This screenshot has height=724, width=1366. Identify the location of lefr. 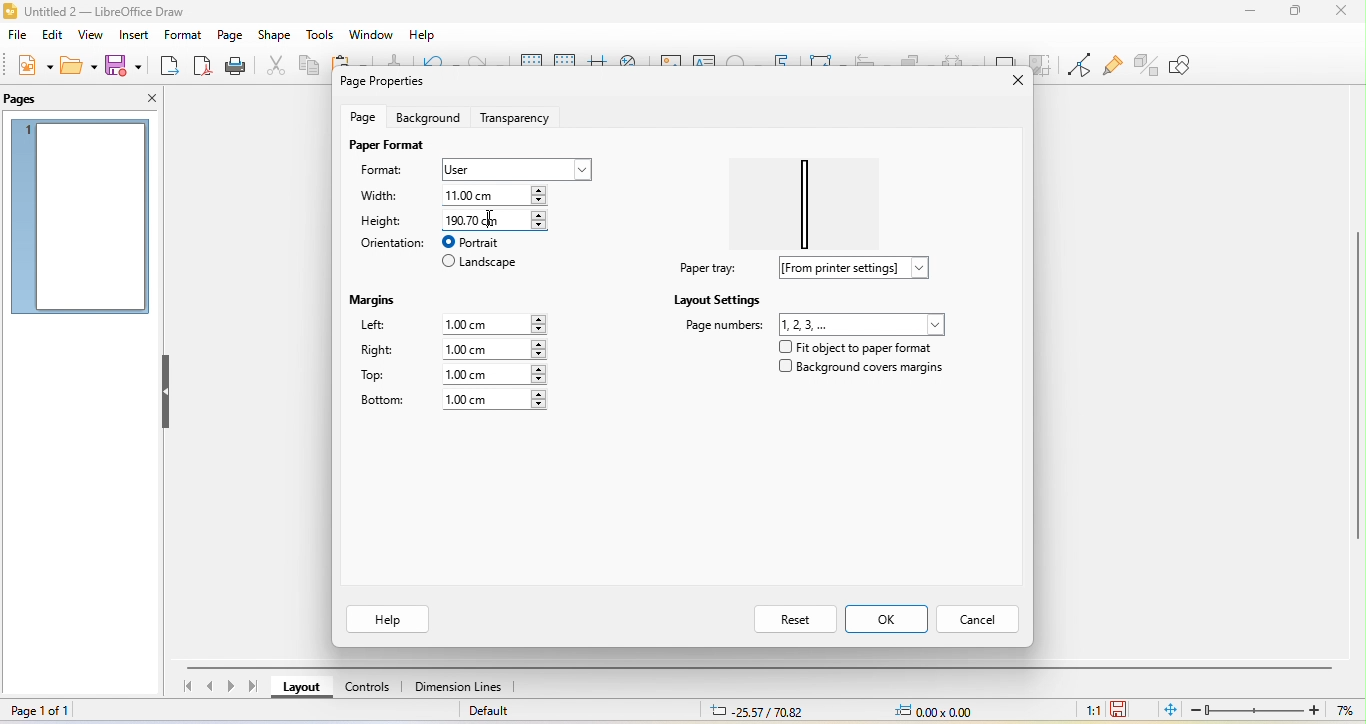
(386, 327).